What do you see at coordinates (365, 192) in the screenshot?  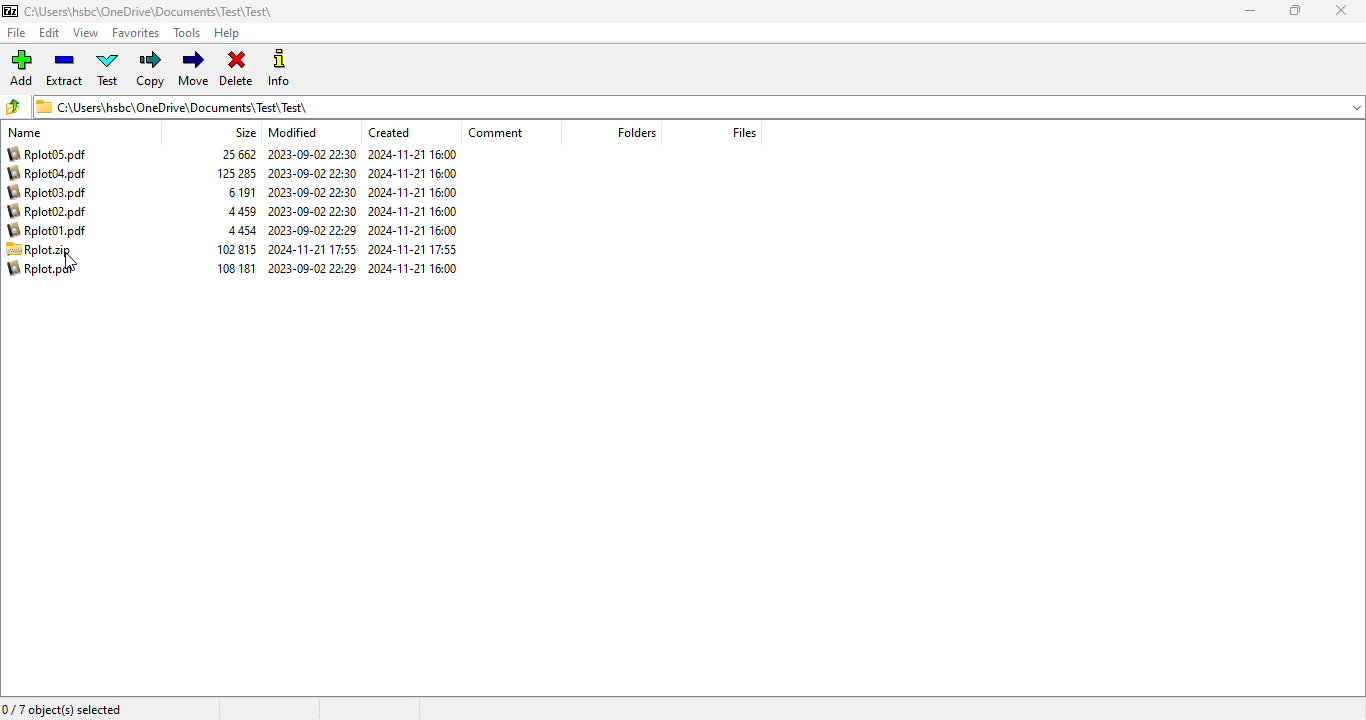 I see `2023-09-02 22:30  2024-11-21 16:00` at bounding box center [365, 192].